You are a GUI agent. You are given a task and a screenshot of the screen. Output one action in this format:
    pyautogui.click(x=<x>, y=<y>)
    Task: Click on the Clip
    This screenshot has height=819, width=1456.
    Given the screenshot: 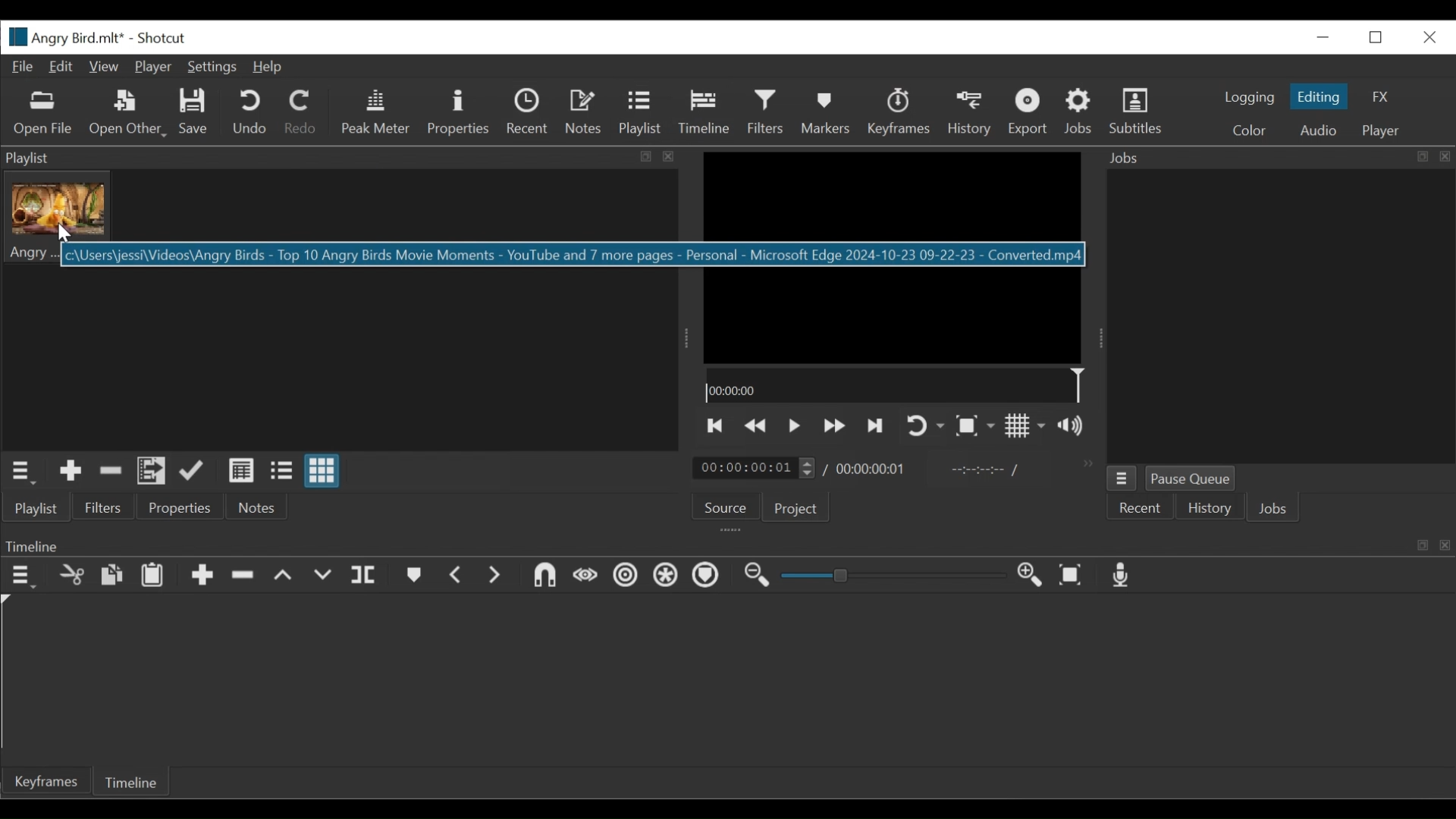 What is the action you would take?
    pyautogui.click(x=60, y=217)
    